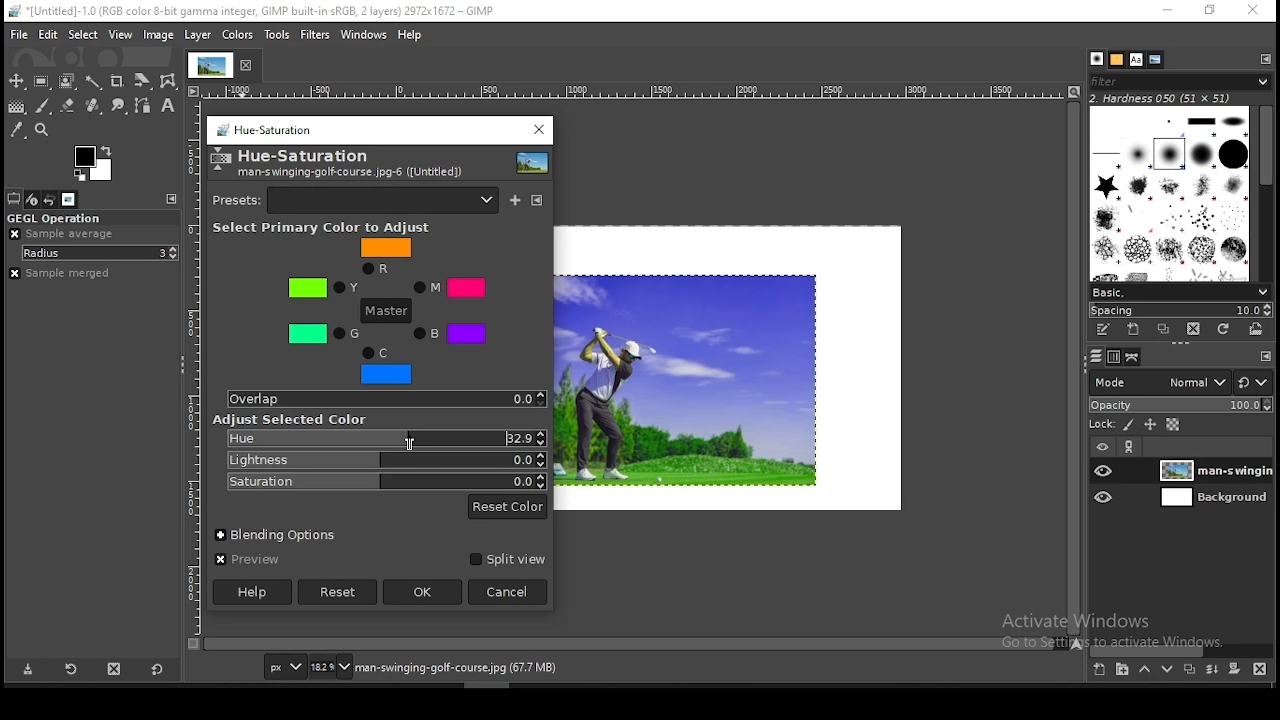  What do you see at coordinates (16, 105) in the screenshot?
I see `gradient tool` at bounding box center [16, 105].